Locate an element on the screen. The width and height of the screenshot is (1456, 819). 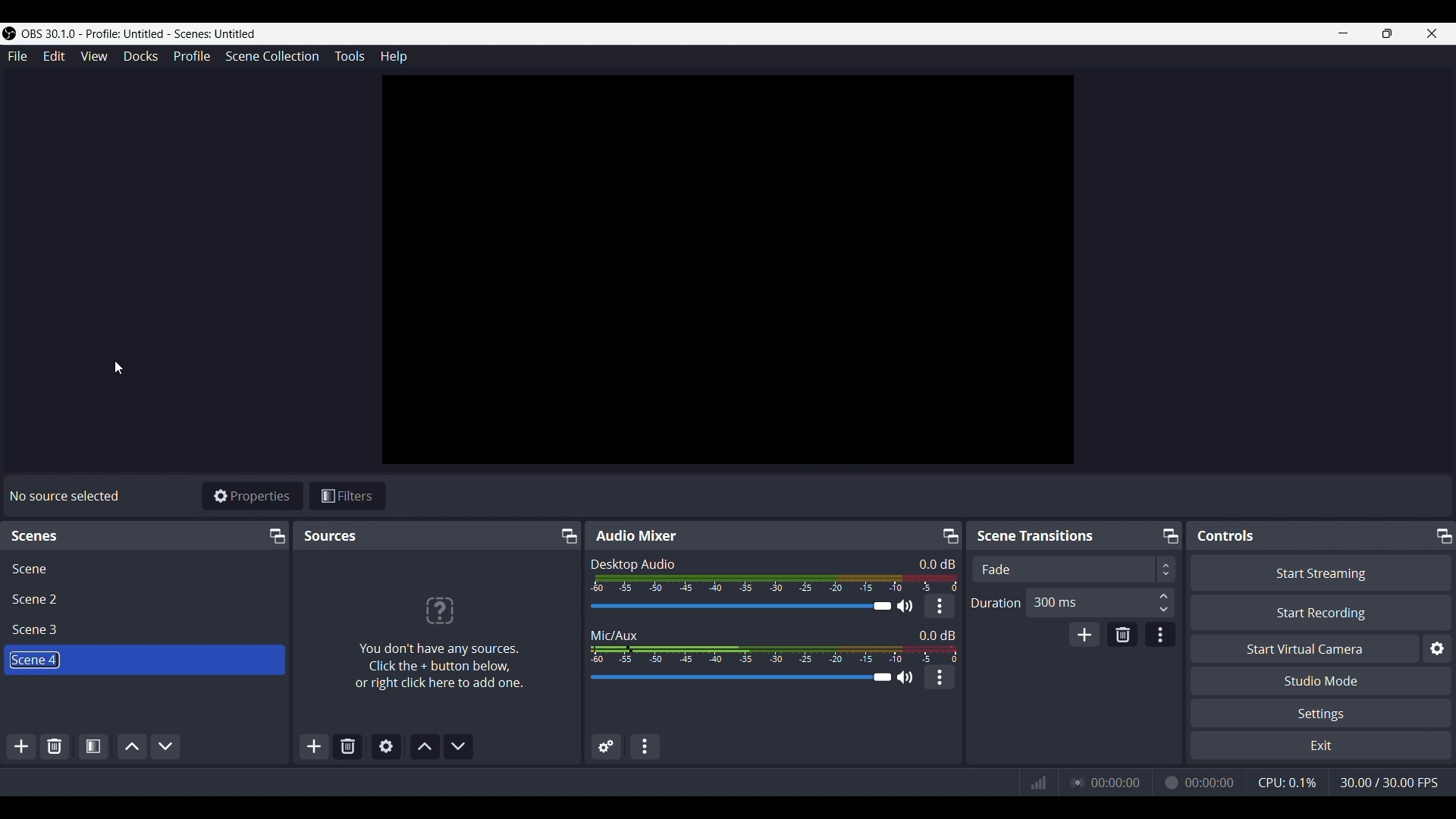
Desktop Audio is located at coordinates (633, 564).